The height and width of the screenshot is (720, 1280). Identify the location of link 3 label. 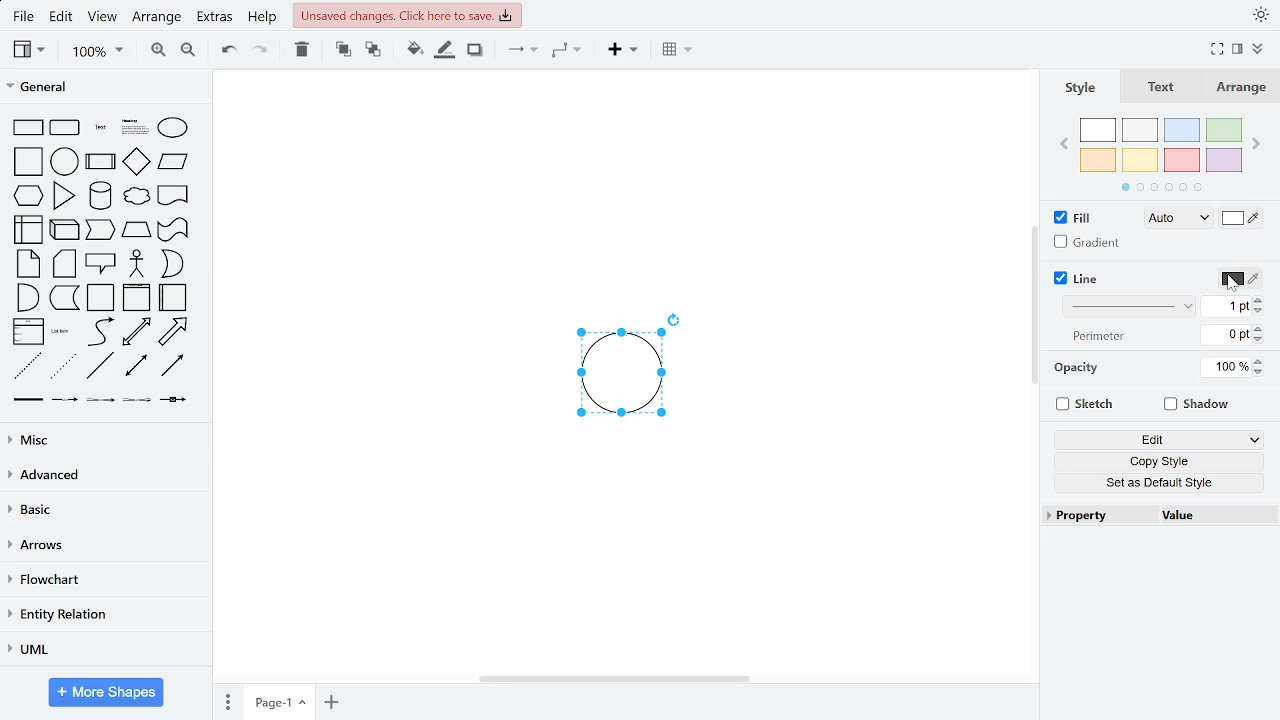
(137, 400).